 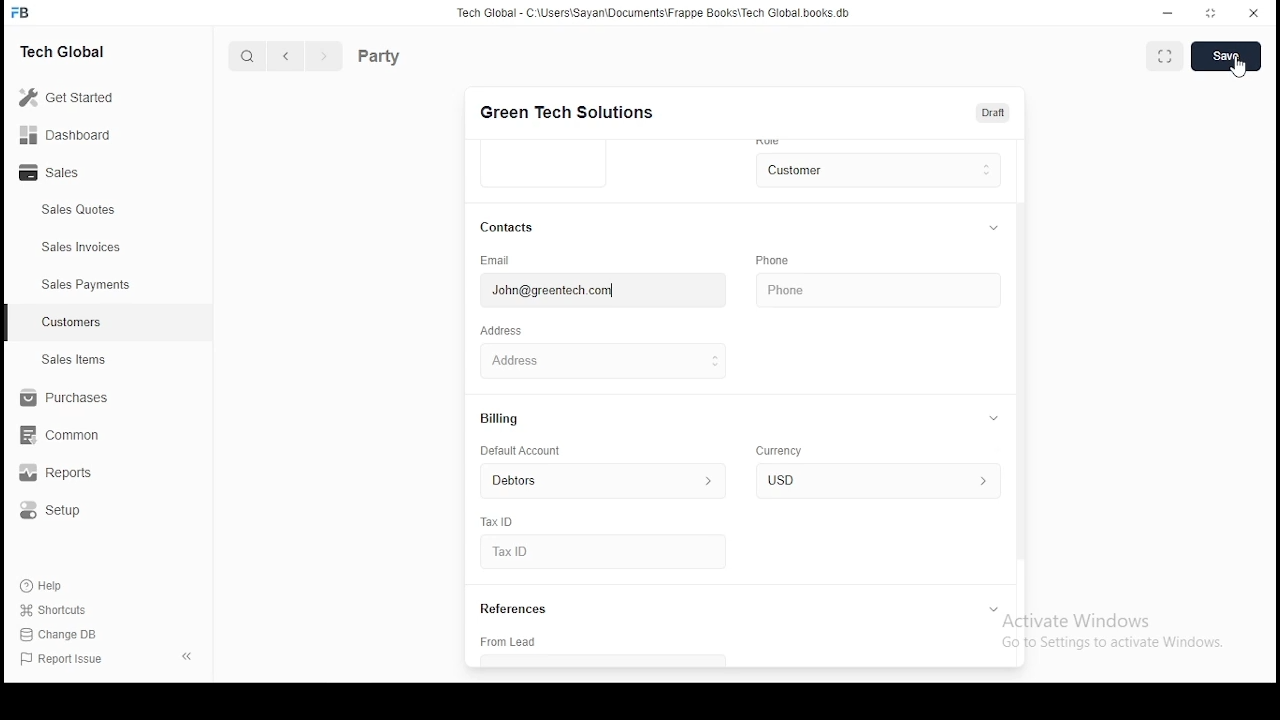 What do you see at coordinates (575, 112) in the screenshot?
I see `green tech solutions` at bounding box center [575, 112].